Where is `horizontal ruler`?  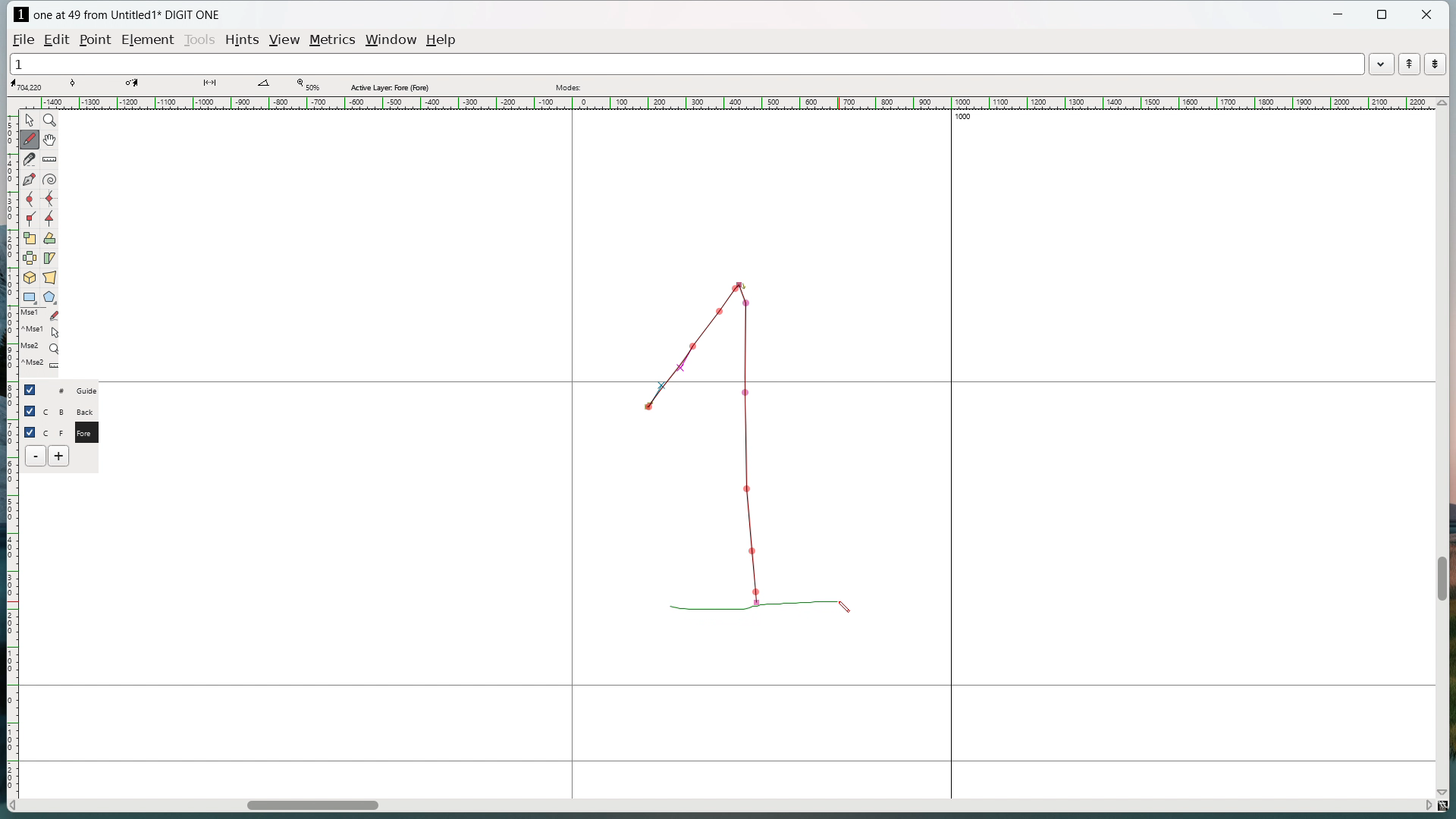 horizontal ruler is located at coordinates (725, 103).